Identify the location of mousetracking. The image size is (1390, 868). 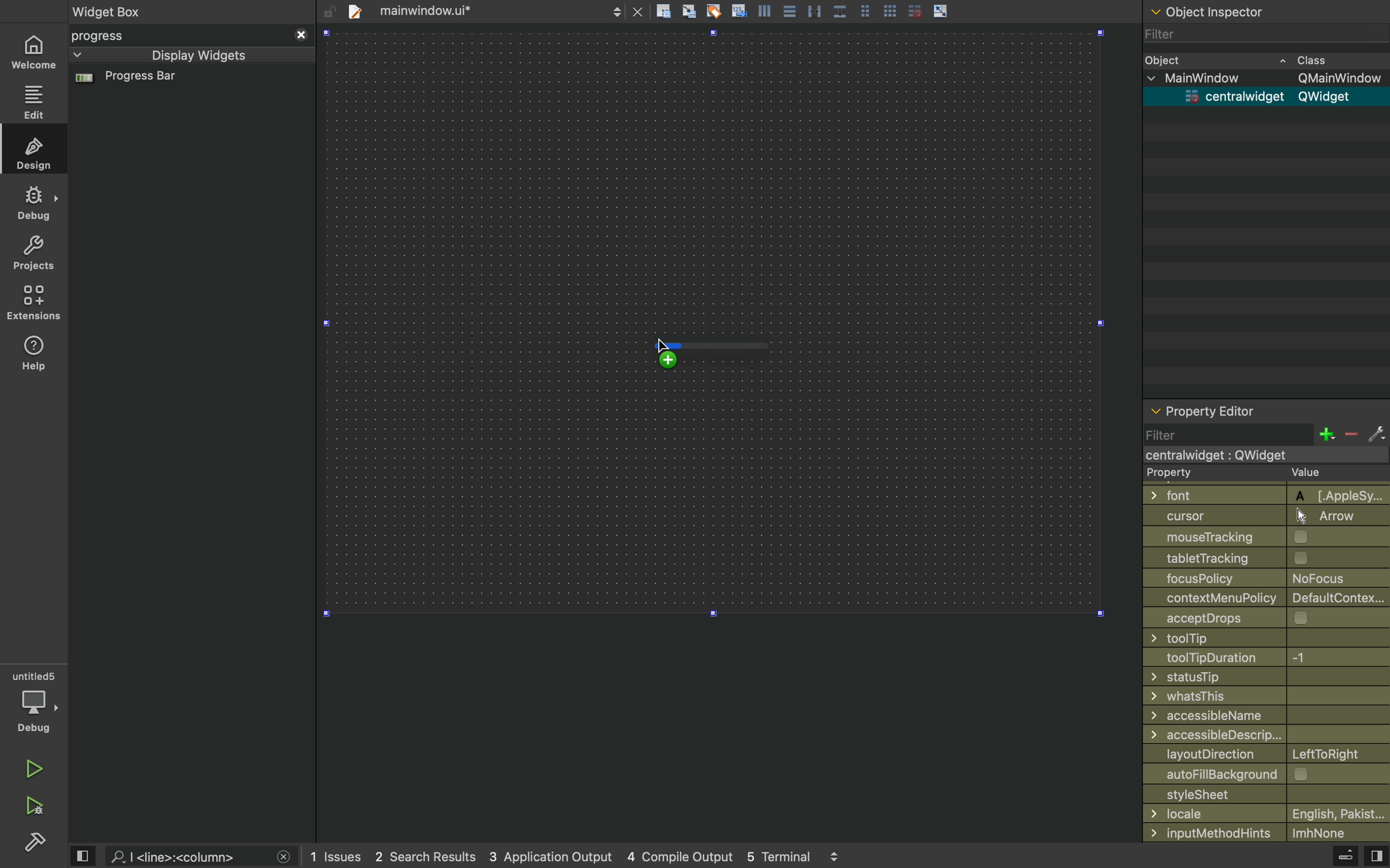
(1262, 537).